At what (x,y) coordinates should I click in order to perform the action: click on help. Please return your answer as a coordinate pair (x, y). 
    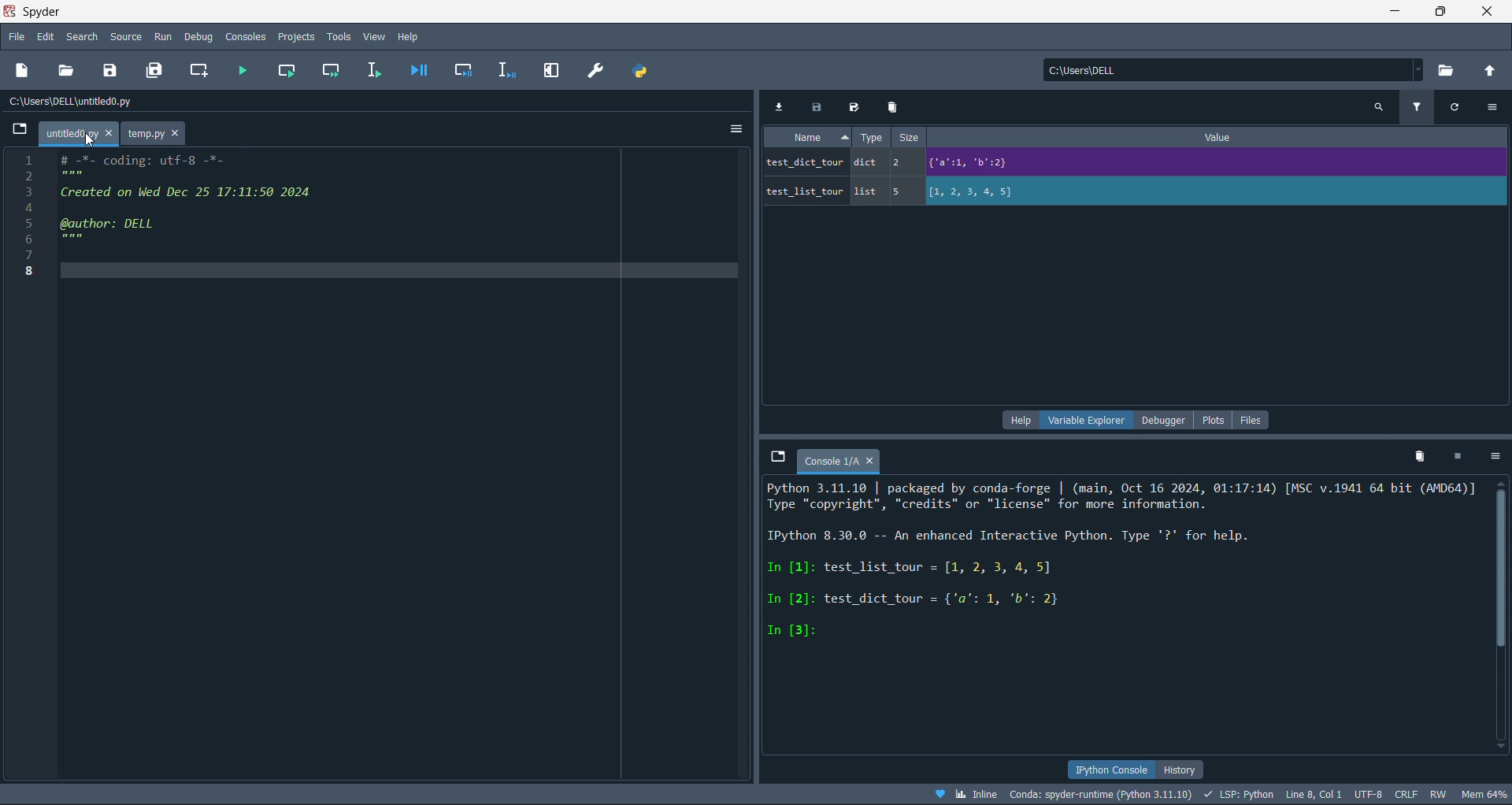
    Looking at the image, I should click on (408, 35).